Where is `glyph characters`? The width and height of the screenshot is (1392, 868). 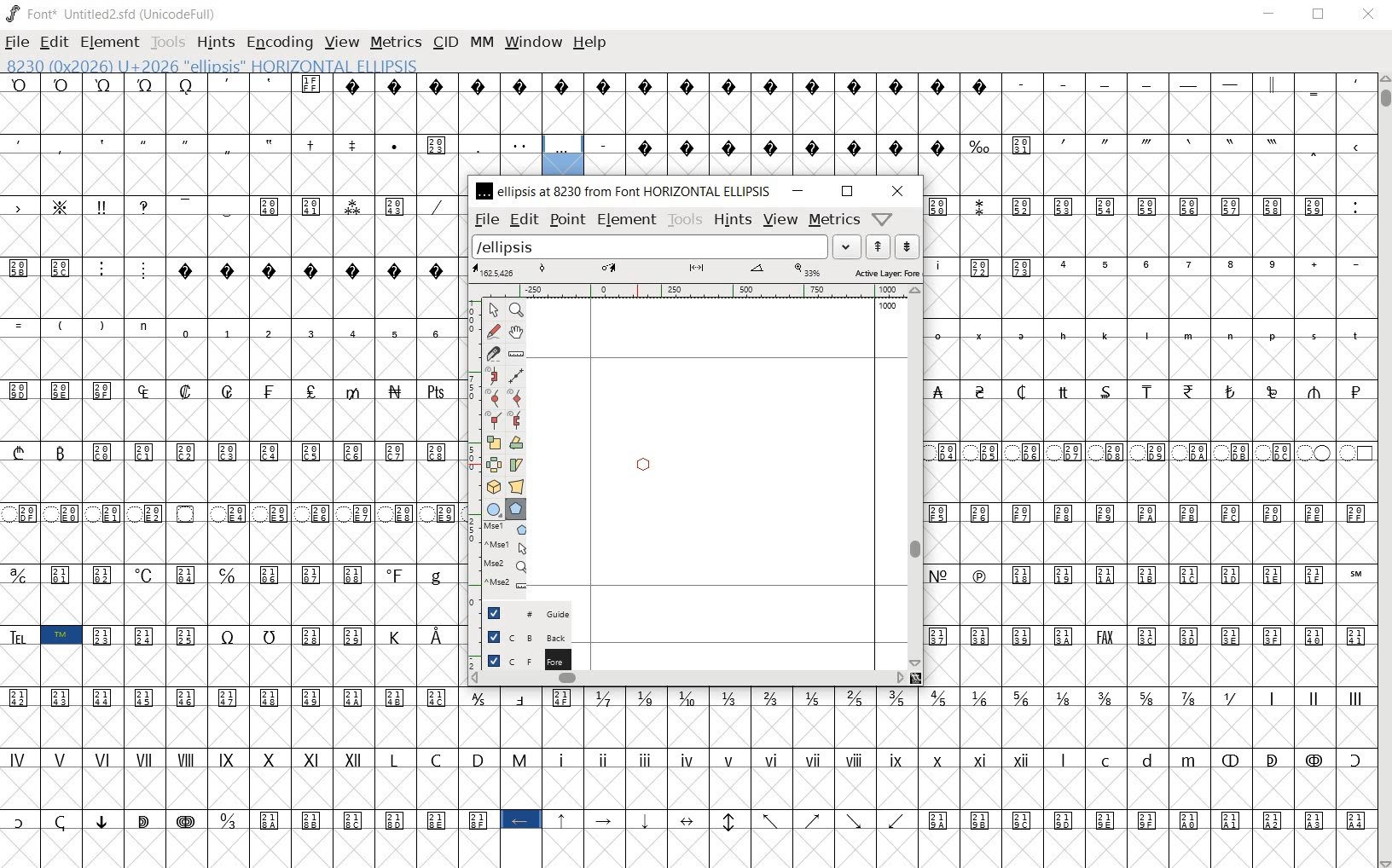 glyph characters is located at coordinates (1000, 124).